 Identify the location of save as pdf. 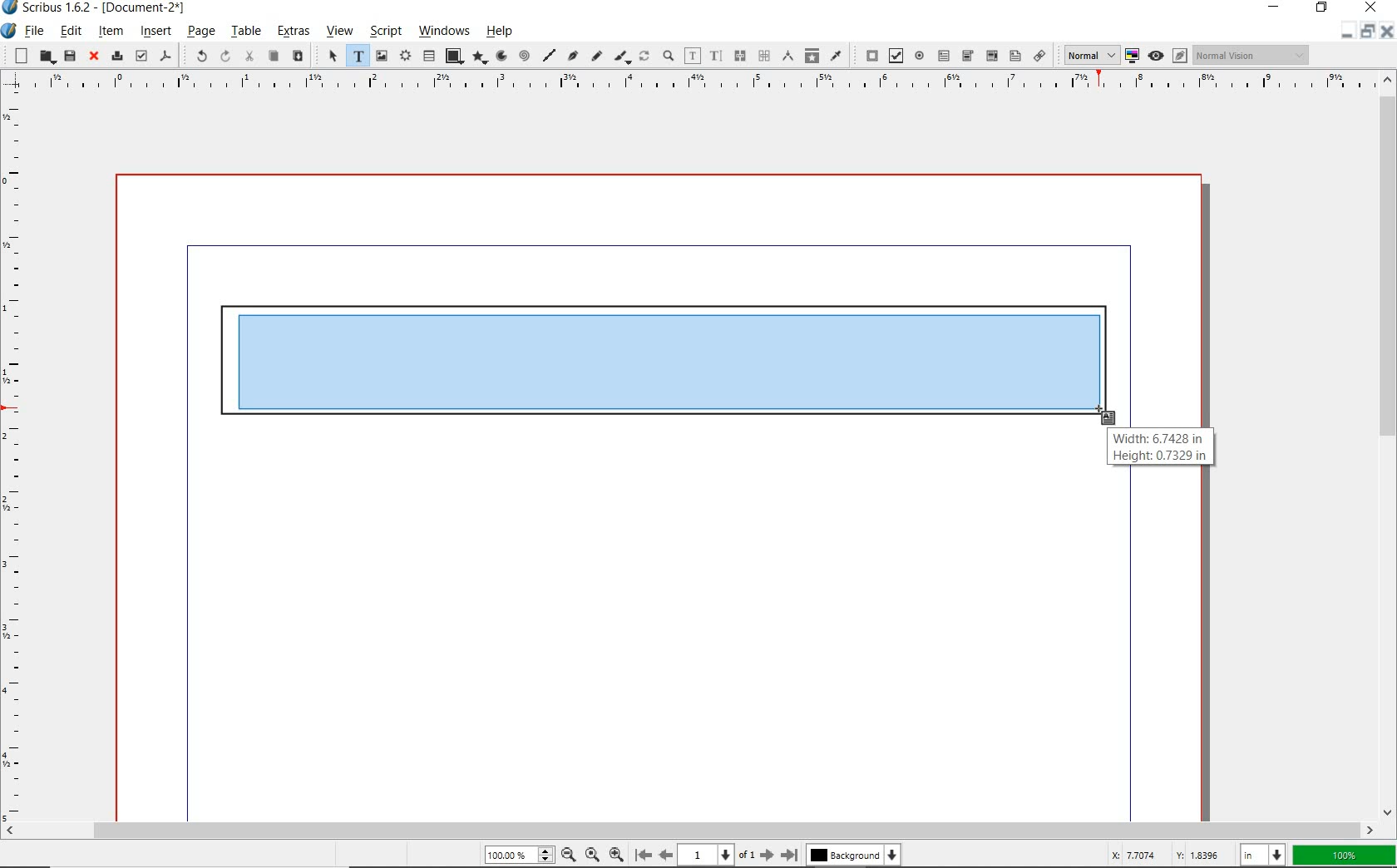
(166, 57).